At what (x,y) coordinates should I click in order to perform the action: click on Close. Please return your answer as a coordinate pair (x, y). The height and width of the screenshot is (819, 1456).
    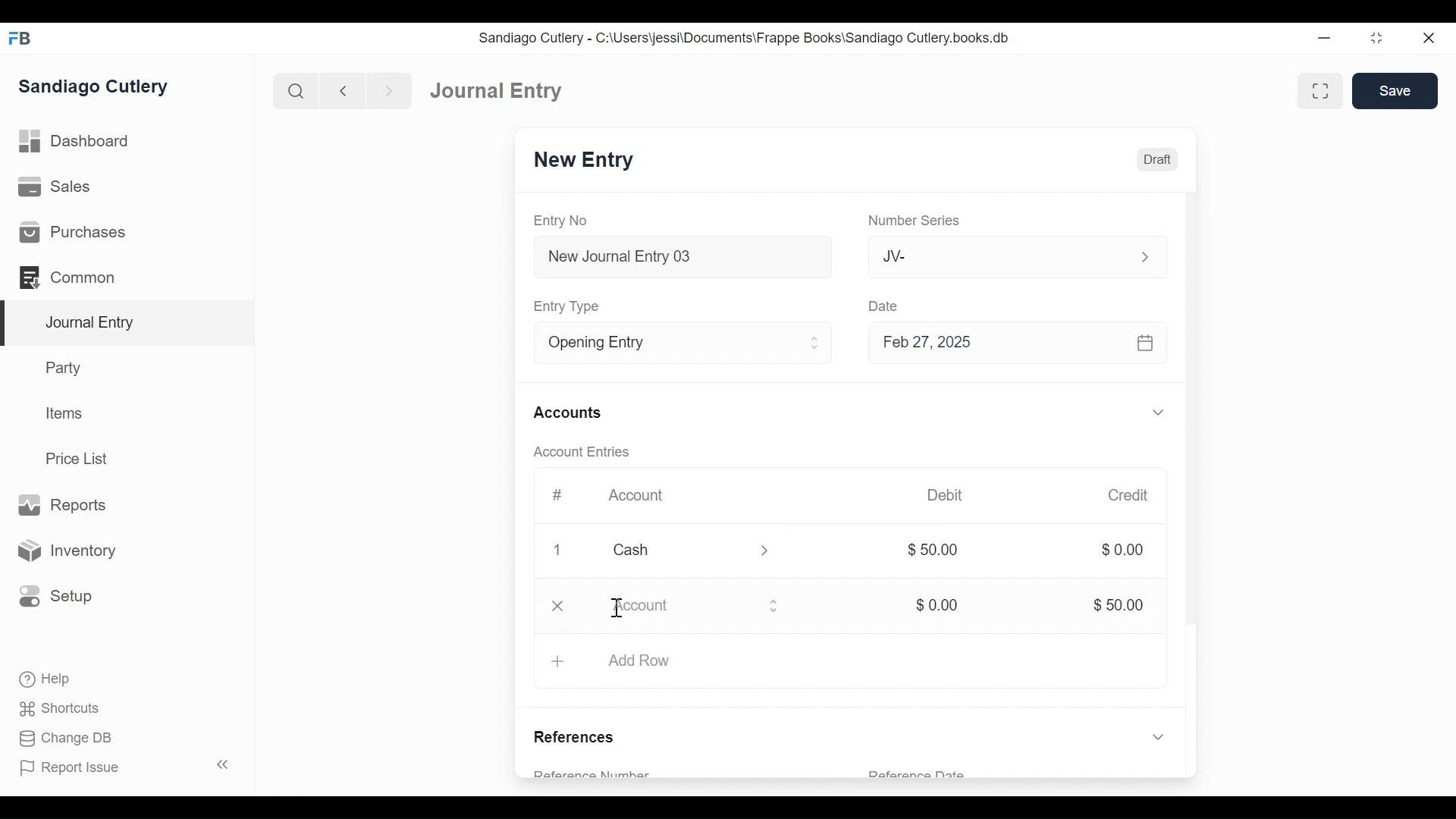
    Looking at the image, I should click on (1427, 38).